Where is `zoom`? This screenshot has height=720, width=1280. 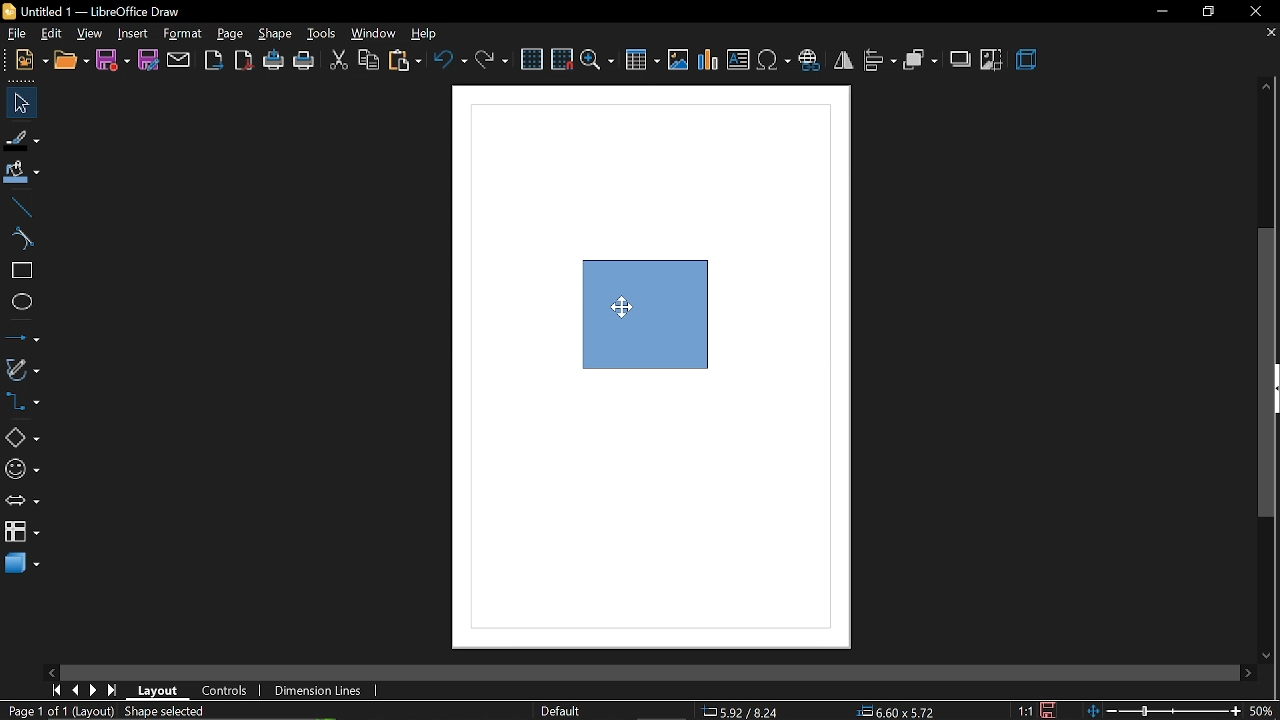 zoom is located at coordinates (598, 61).